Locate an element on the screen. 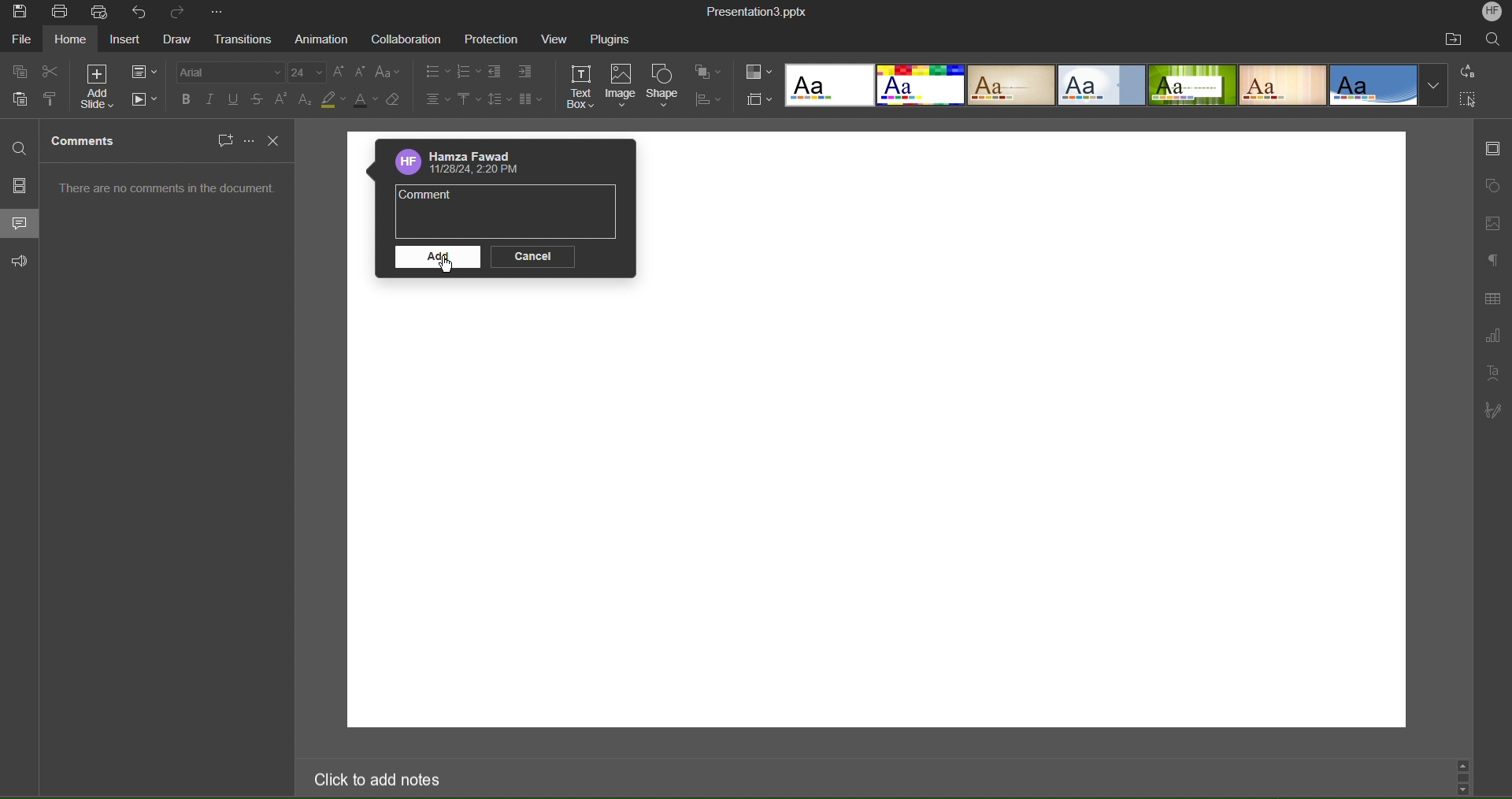 Image resolution: width=1512 pixels, height=799 pixels. Shape Settings is located at coordinates (1493, 186).